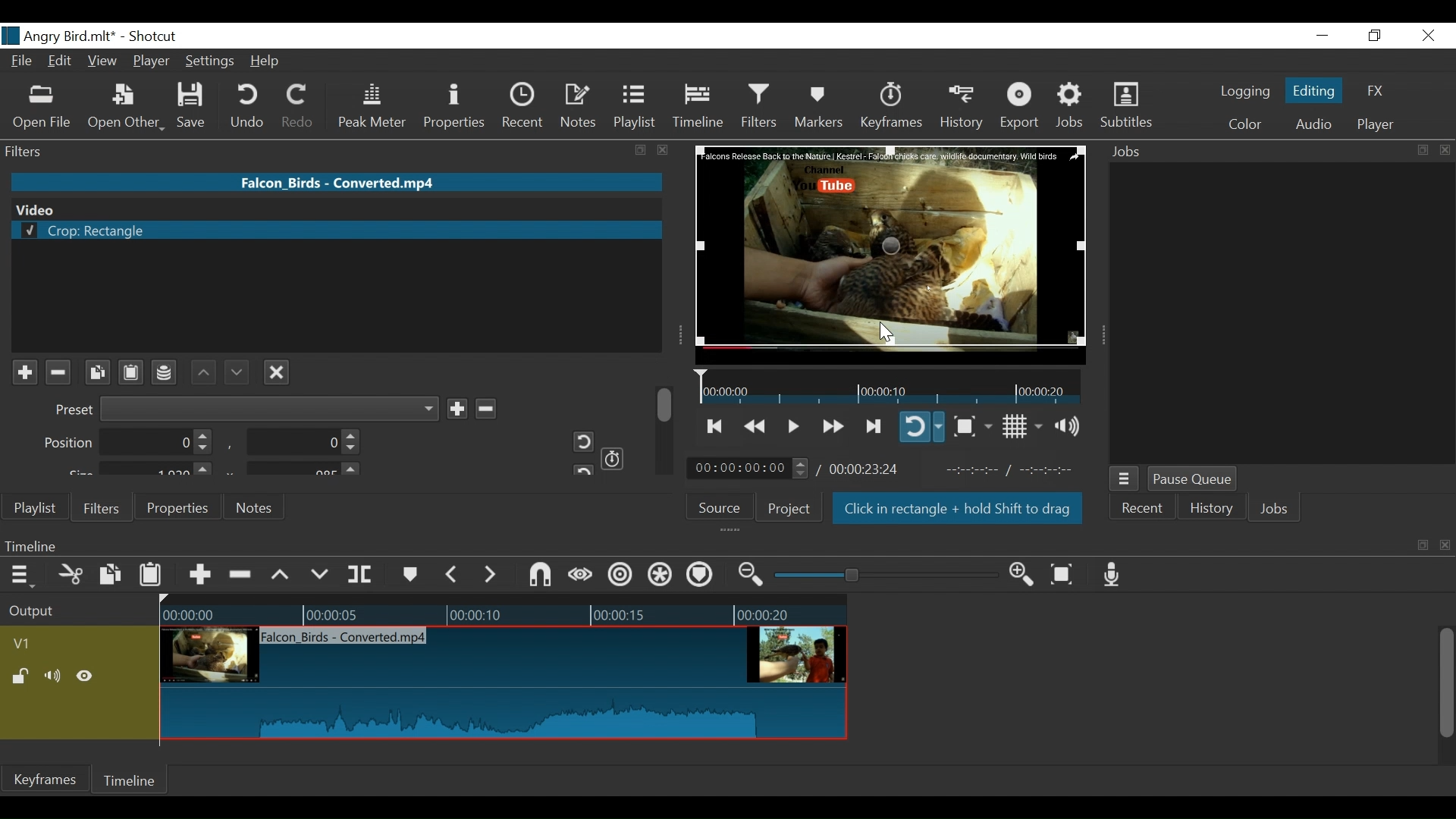  Describe the element at coordinates (753, 575) in the screenshot. I see `Zoom timeline out` at that location.